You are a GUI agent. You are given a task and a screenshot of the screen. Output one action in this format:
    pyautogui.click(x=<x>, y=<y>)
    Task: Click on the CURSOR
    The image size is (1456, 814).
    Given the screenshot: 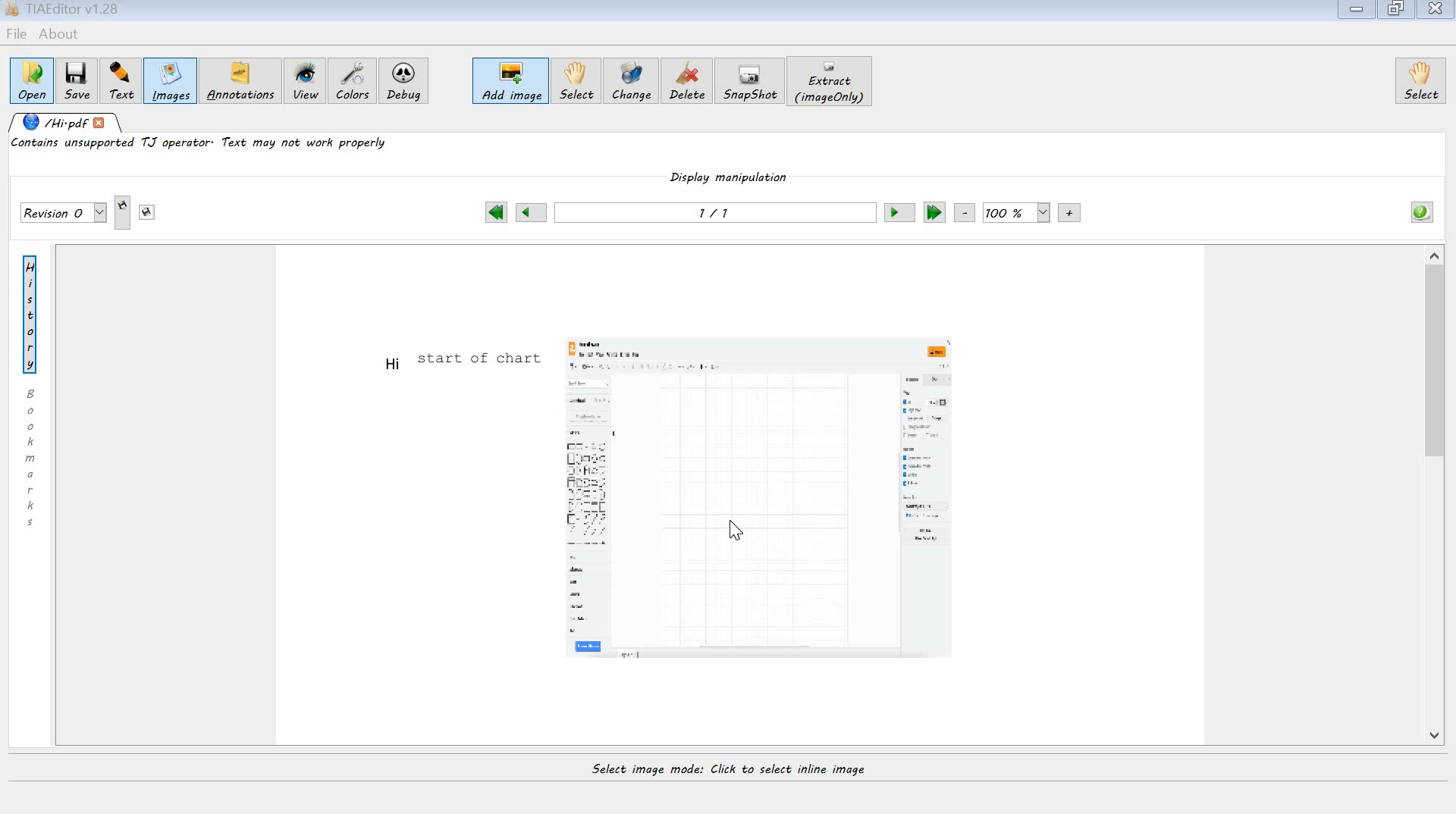 What is the action you would take?
    pyautogui.click(x=735, y=535)
    